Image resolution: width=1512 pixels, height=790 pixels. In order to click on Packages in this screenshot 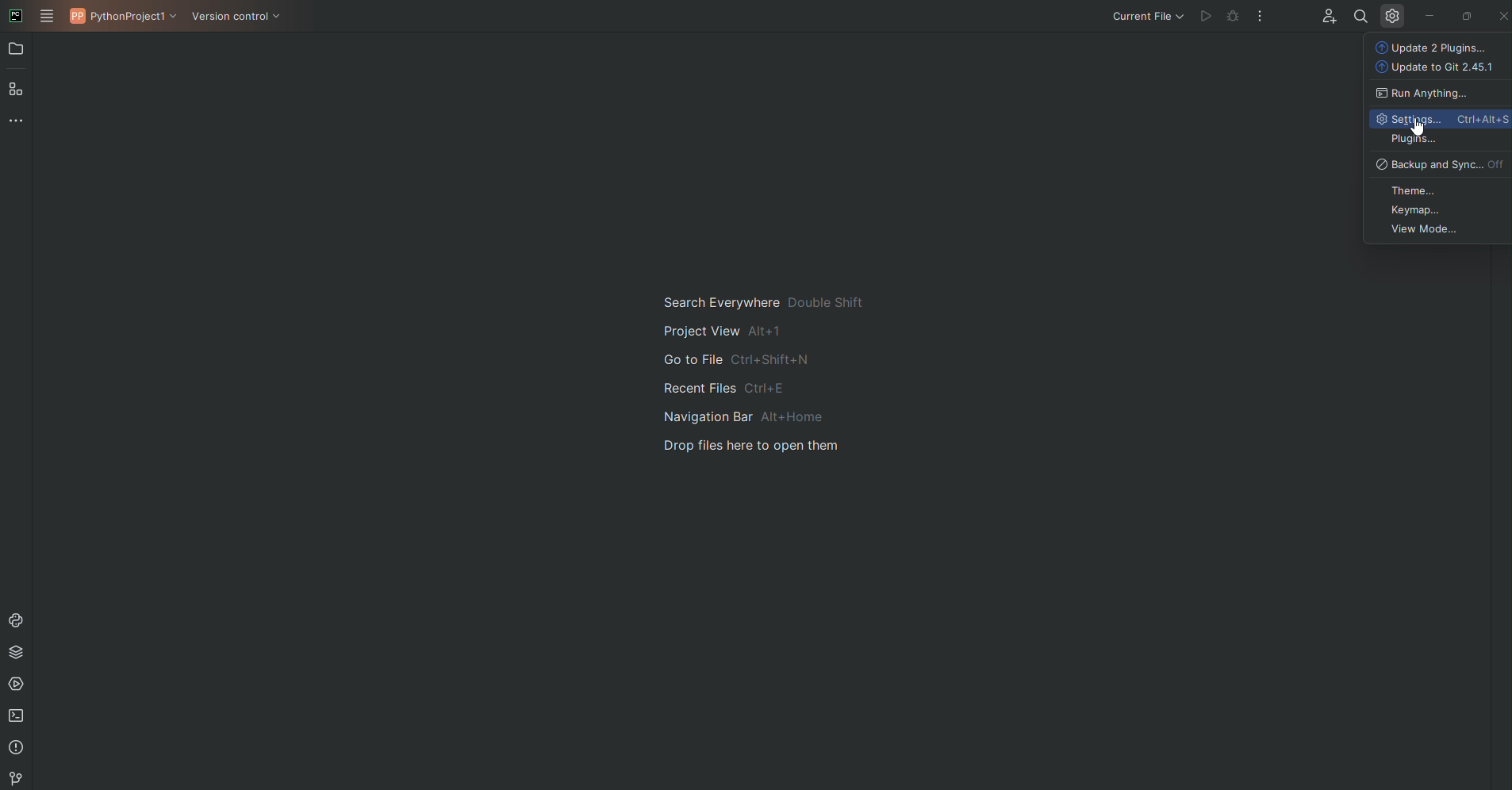, I will do `click(15, 654)`.